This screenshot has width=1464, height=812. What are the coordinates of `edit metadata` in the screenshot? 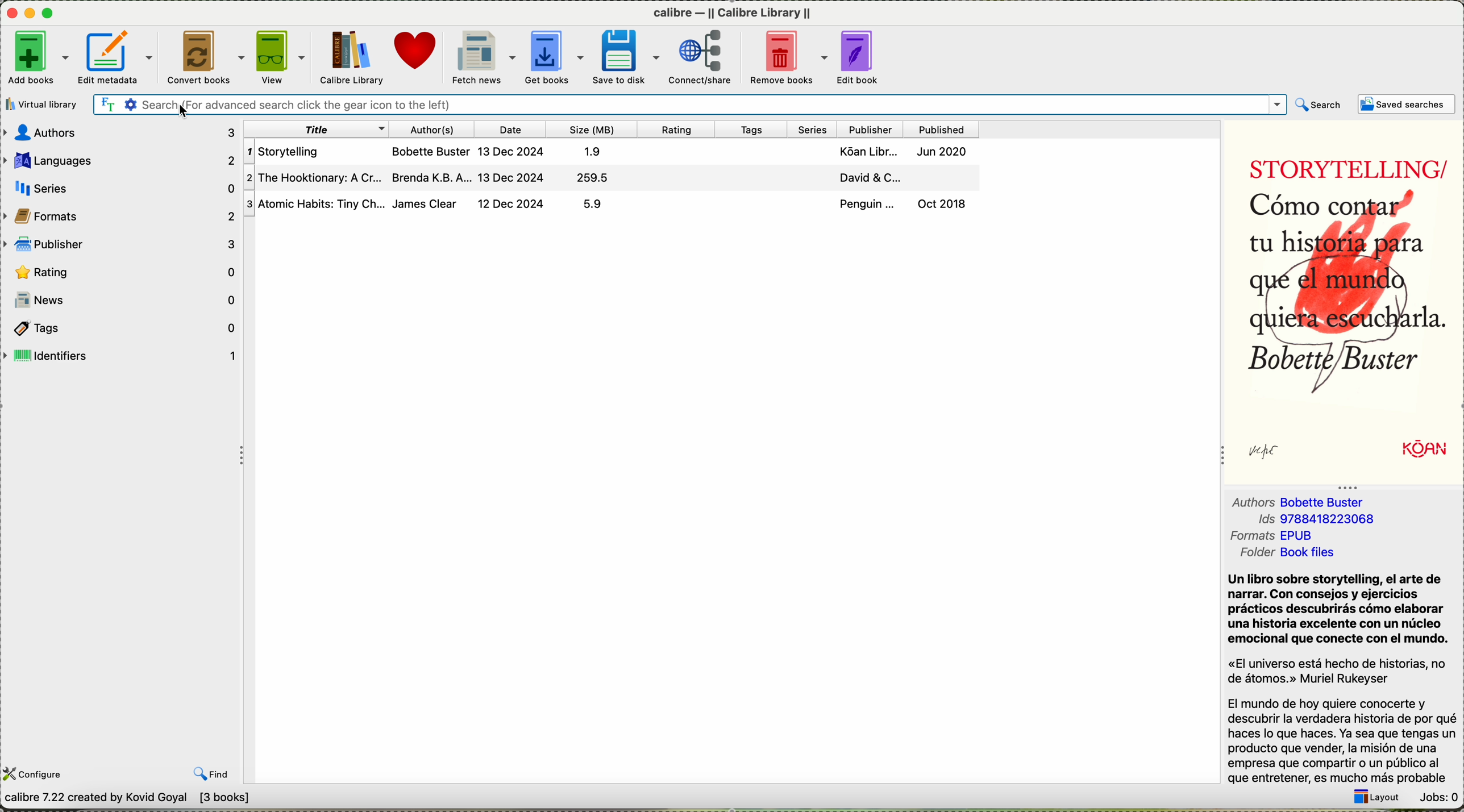 It's located at (117, 57).